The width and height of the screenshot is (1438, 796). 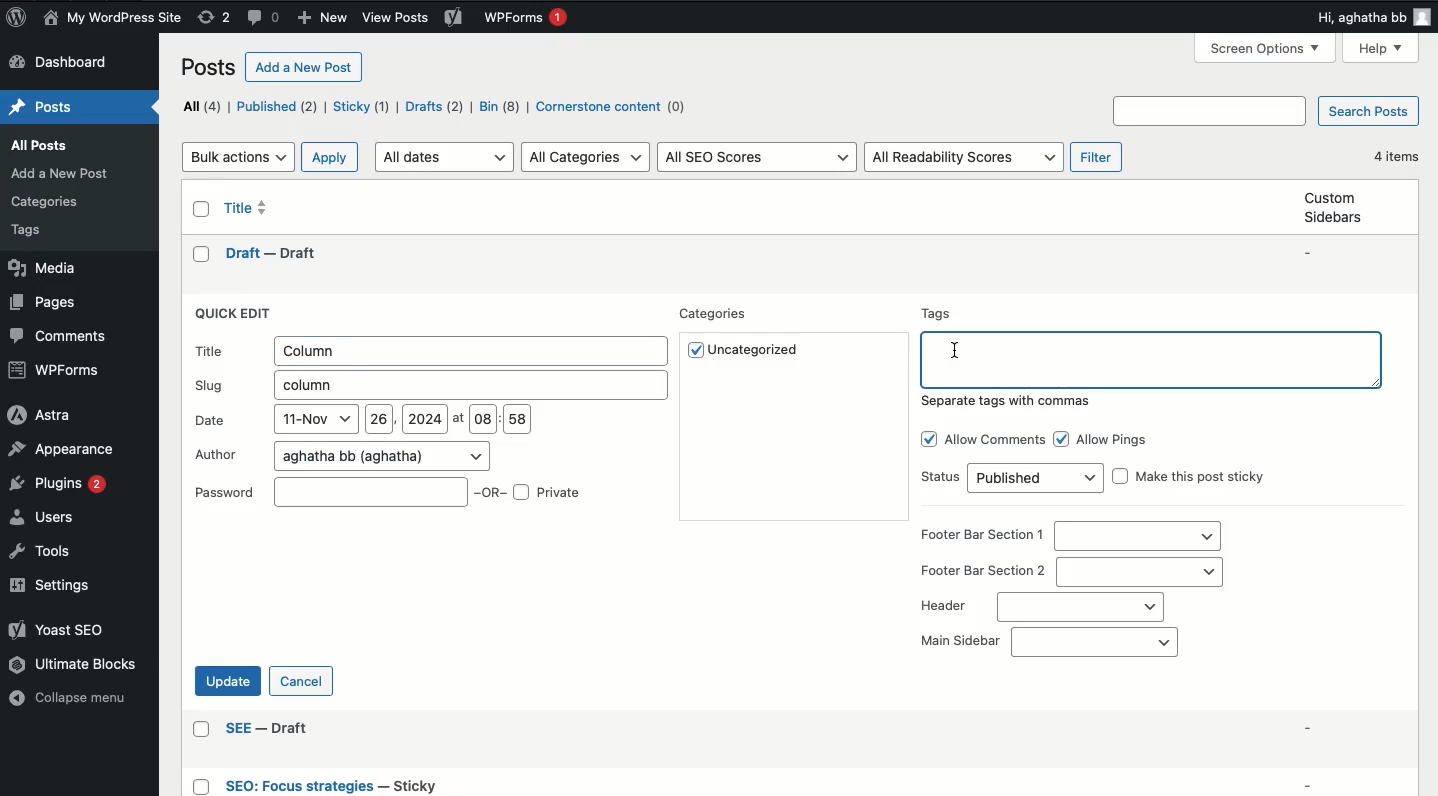 What do you see at coordinates (56, 337) in the screenshot?
I see `Comments` at bounding box center [56, 337].